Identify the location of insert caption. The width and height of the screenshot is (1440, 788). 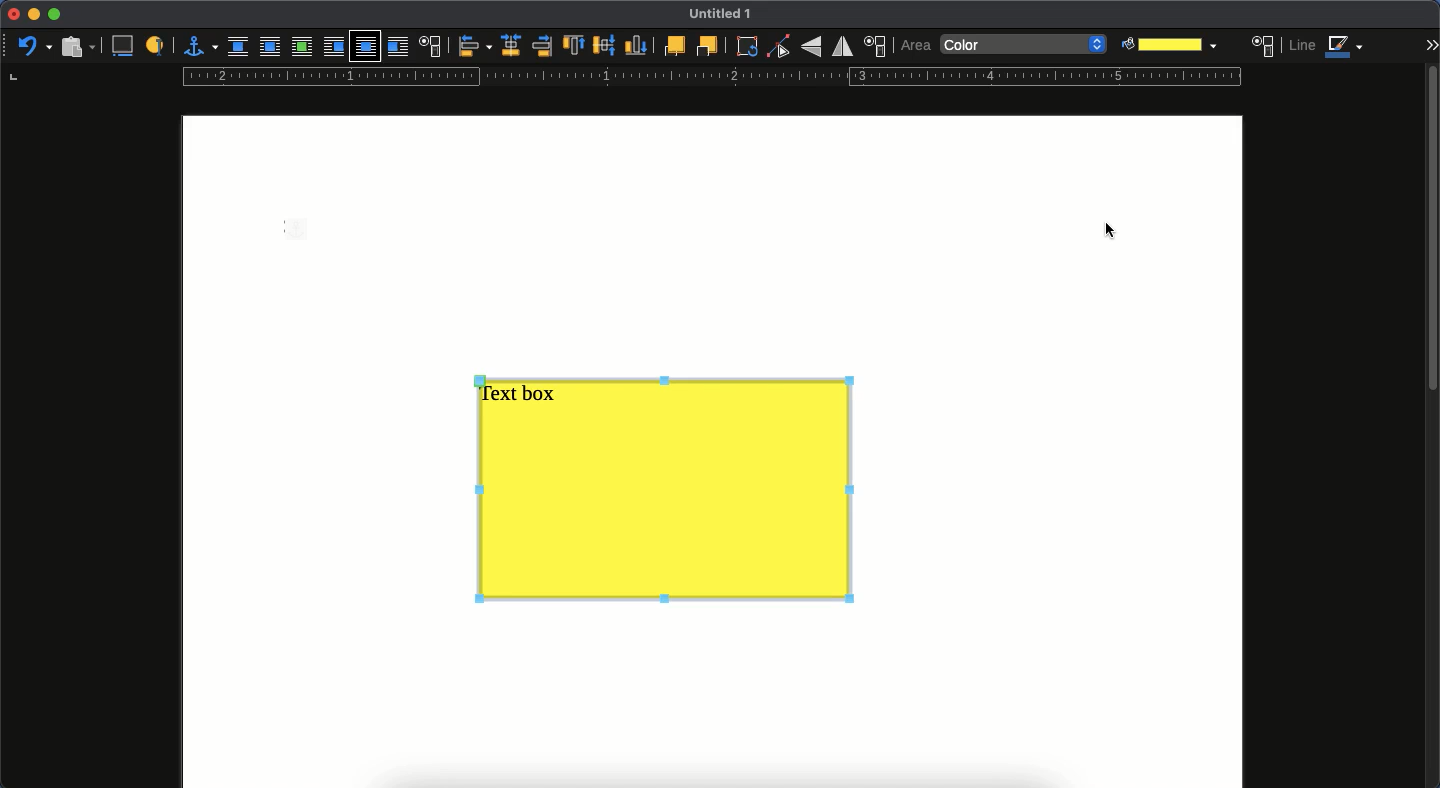
(126, 45).